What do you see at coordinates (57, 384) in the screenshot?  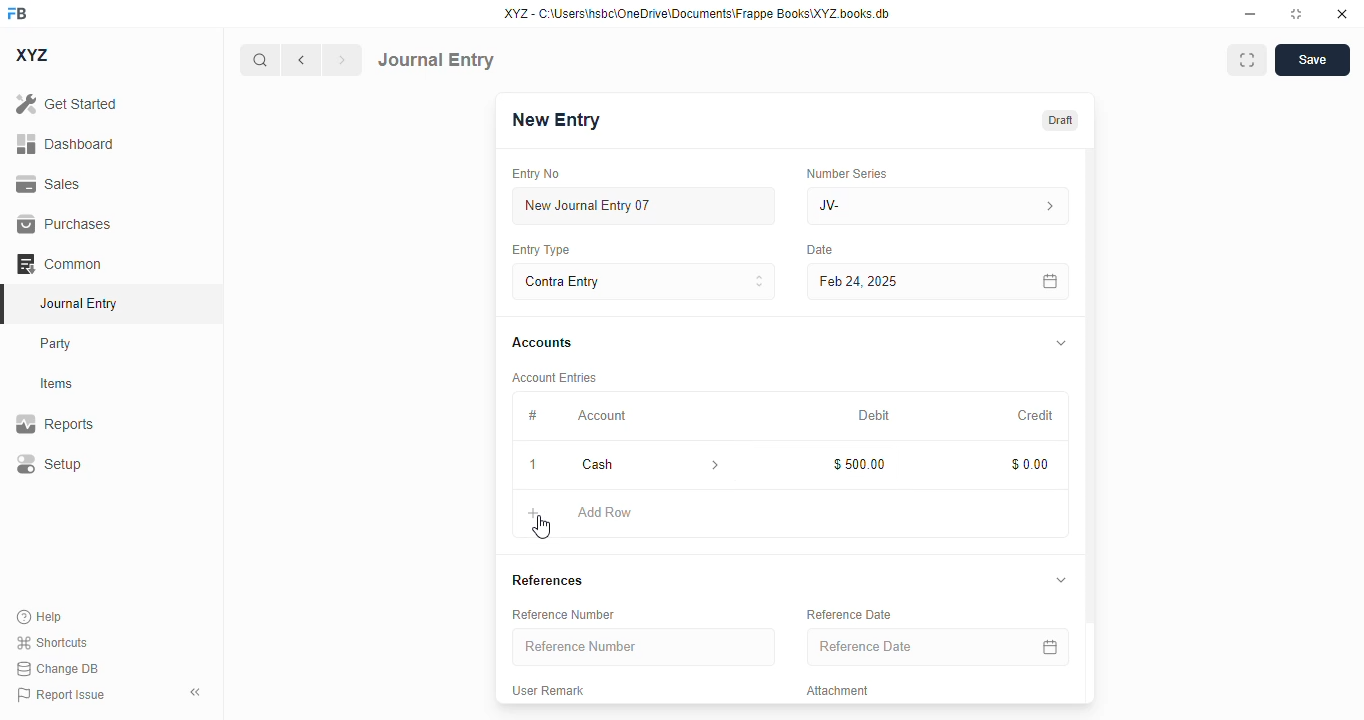 I see `items` at bounding box center [57, 384].